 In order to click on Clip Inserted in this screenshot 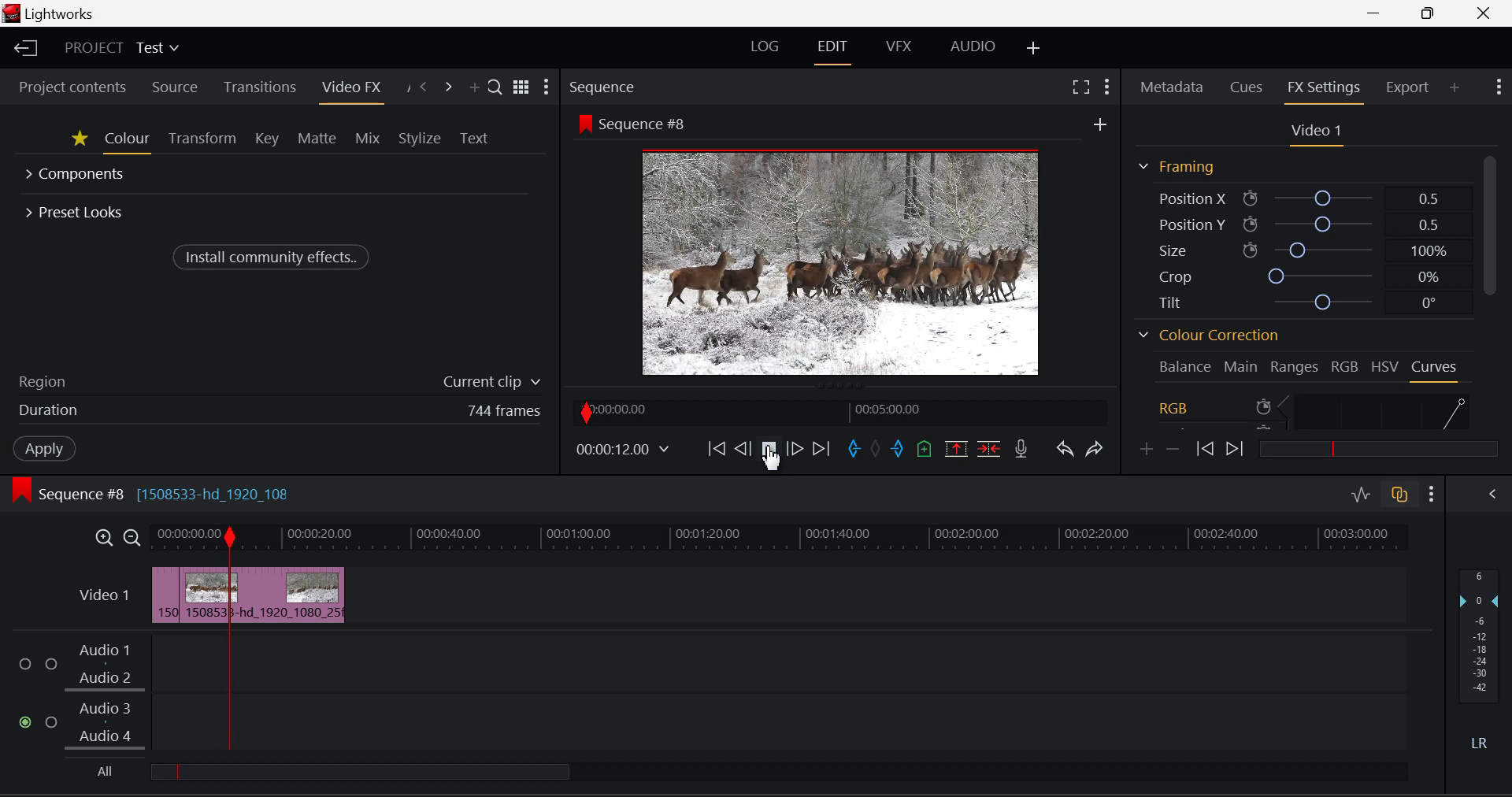, I will do `click(247, 595)`.